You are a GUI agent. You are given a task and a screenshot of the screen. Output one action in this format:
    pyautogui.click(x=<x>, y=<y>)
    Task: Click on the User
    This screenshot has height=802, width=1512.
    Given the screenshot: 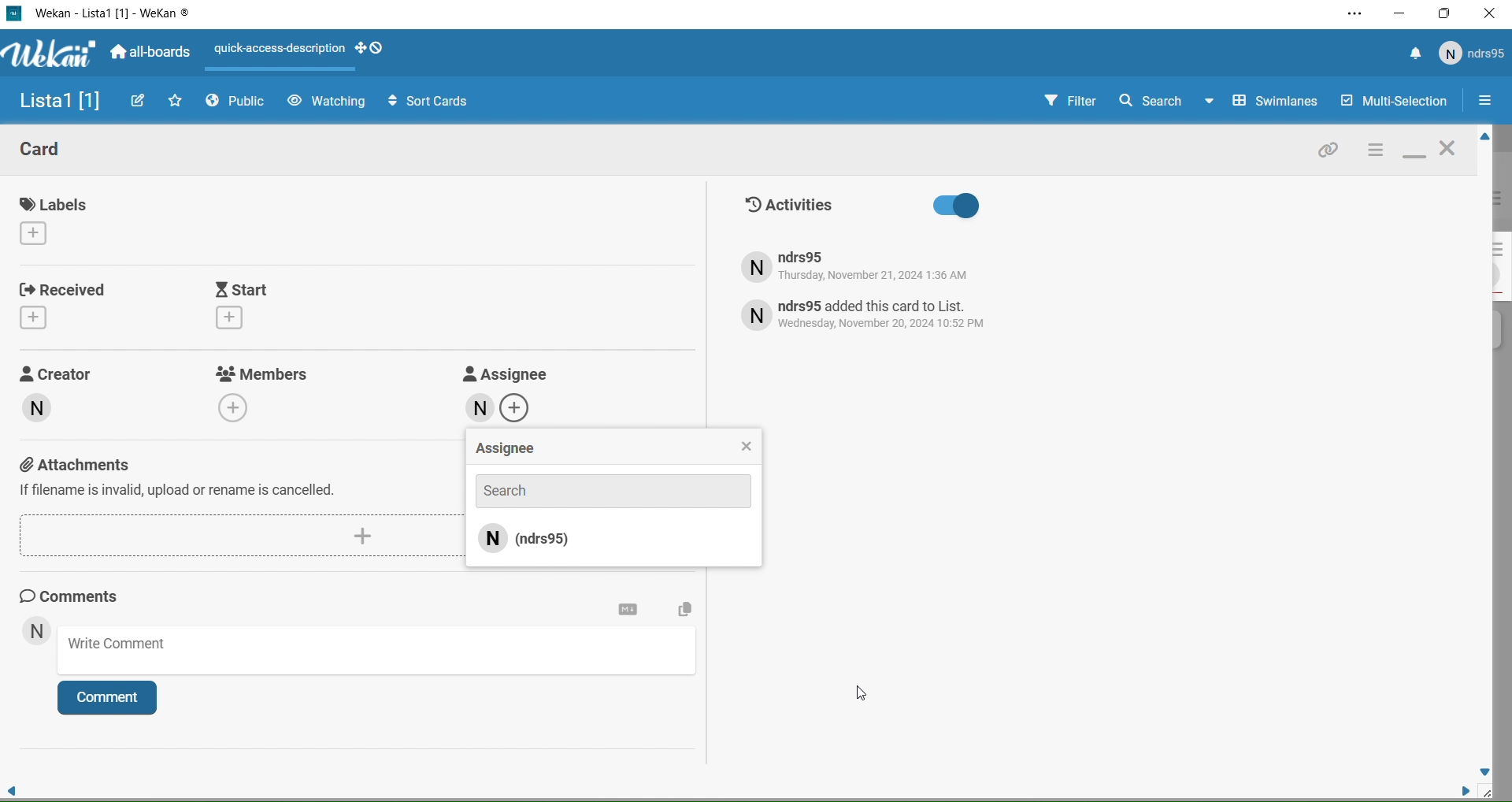 What is the action you would take?
    pyautogui.click(x=1473, y=54)
    